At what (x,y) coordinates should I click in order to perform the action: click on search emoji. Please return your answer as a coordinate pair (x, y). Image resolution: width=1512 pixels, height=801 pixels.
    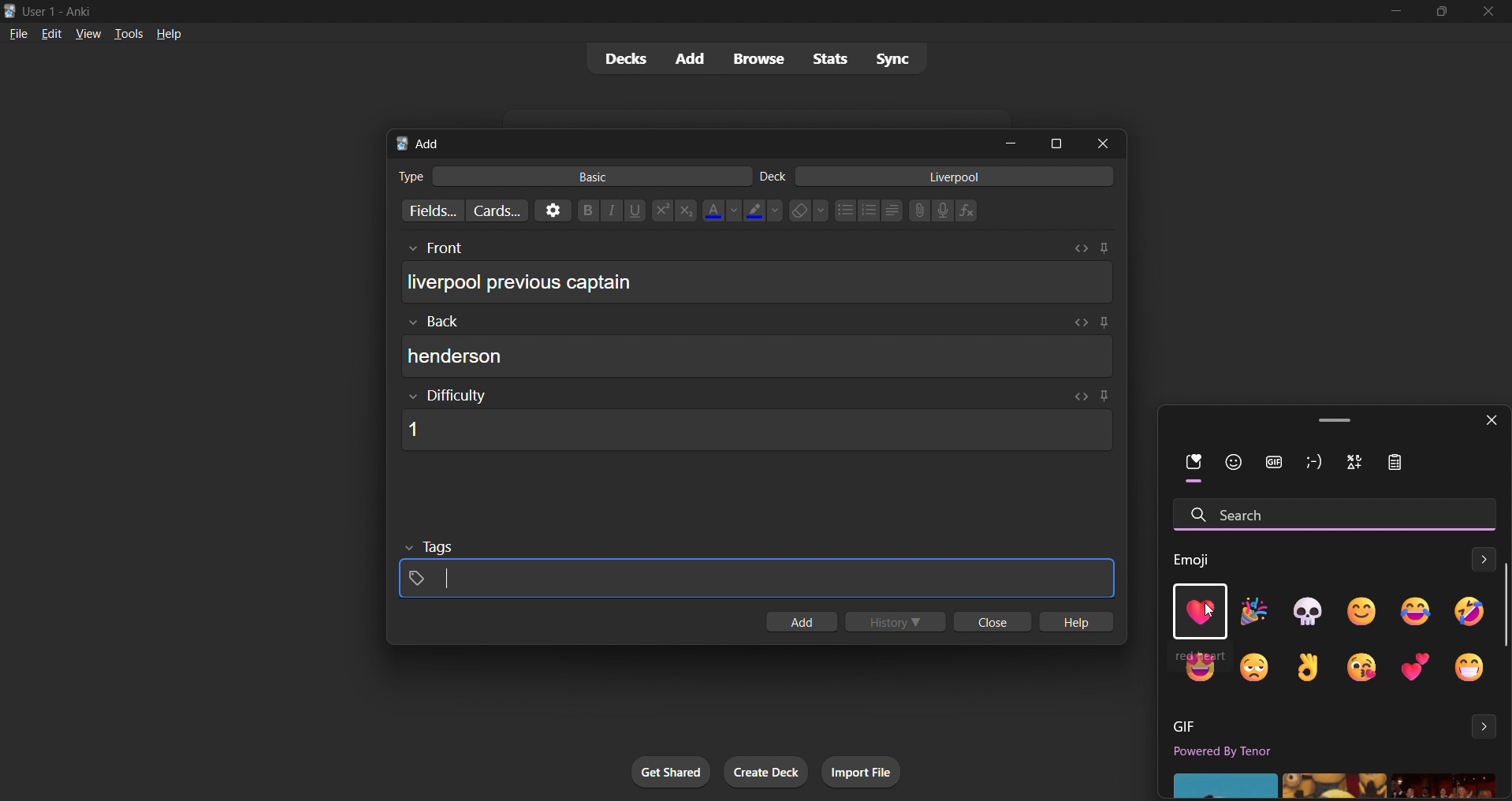
    Looking at the image, I should click on (1331, 512).